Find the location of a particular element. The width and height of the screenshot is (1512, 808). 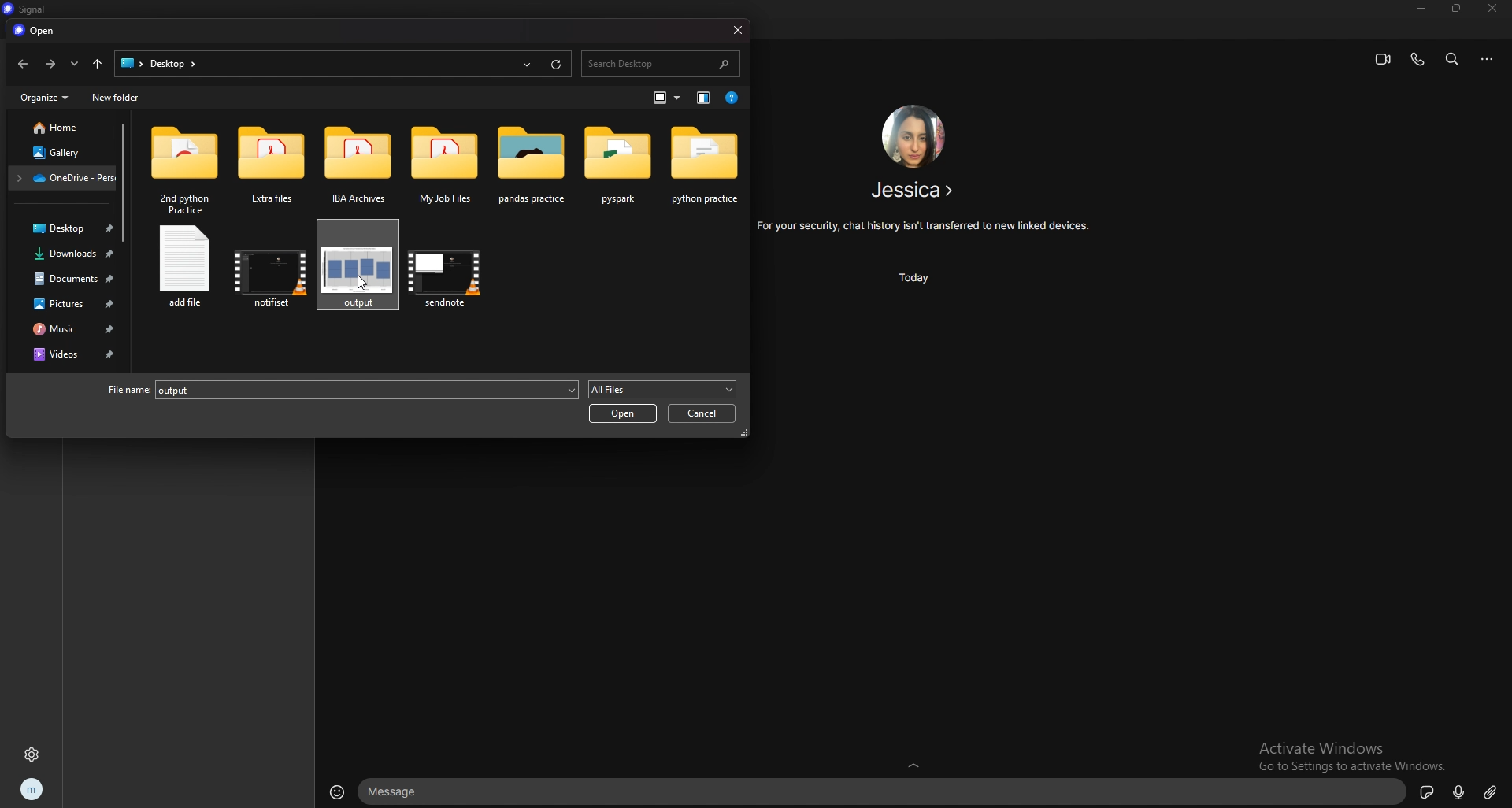

music is located at coordinates (64, 329).